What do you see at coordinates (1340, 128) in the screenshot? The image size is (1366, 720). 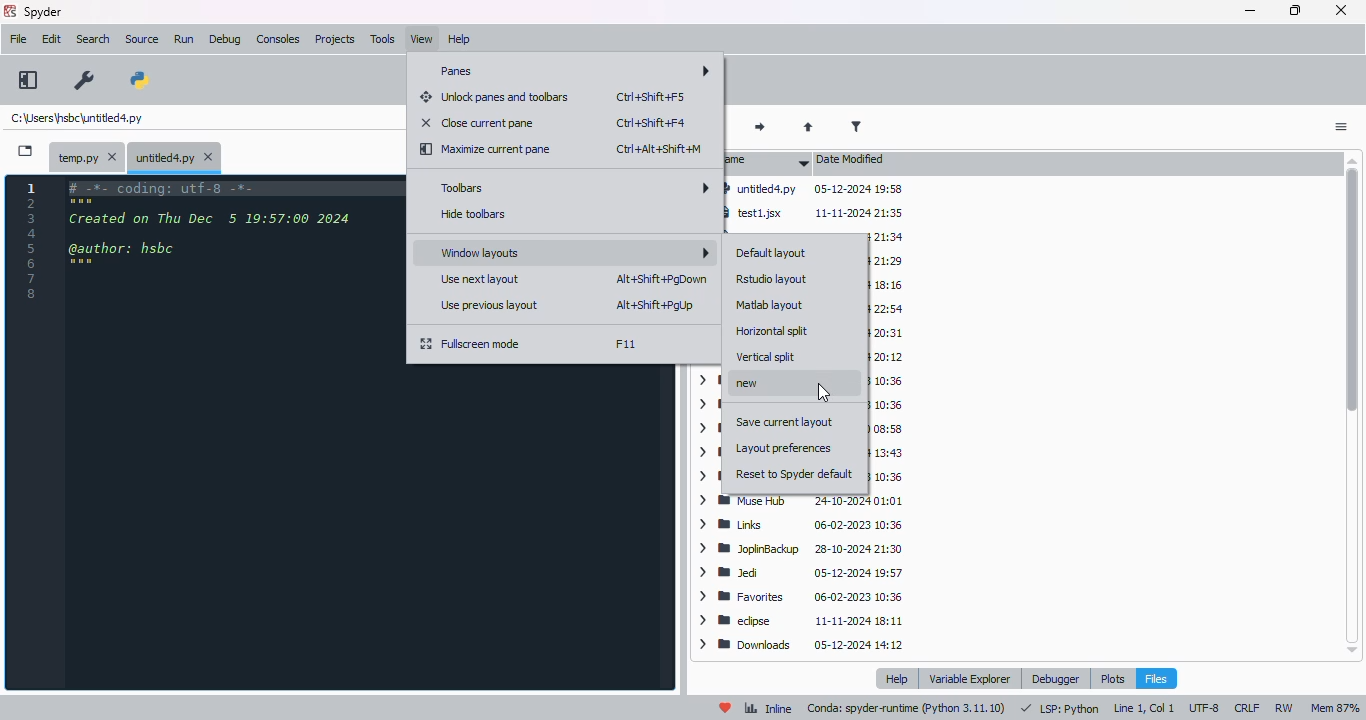 I see `options` at bounding box center [1340, 128].